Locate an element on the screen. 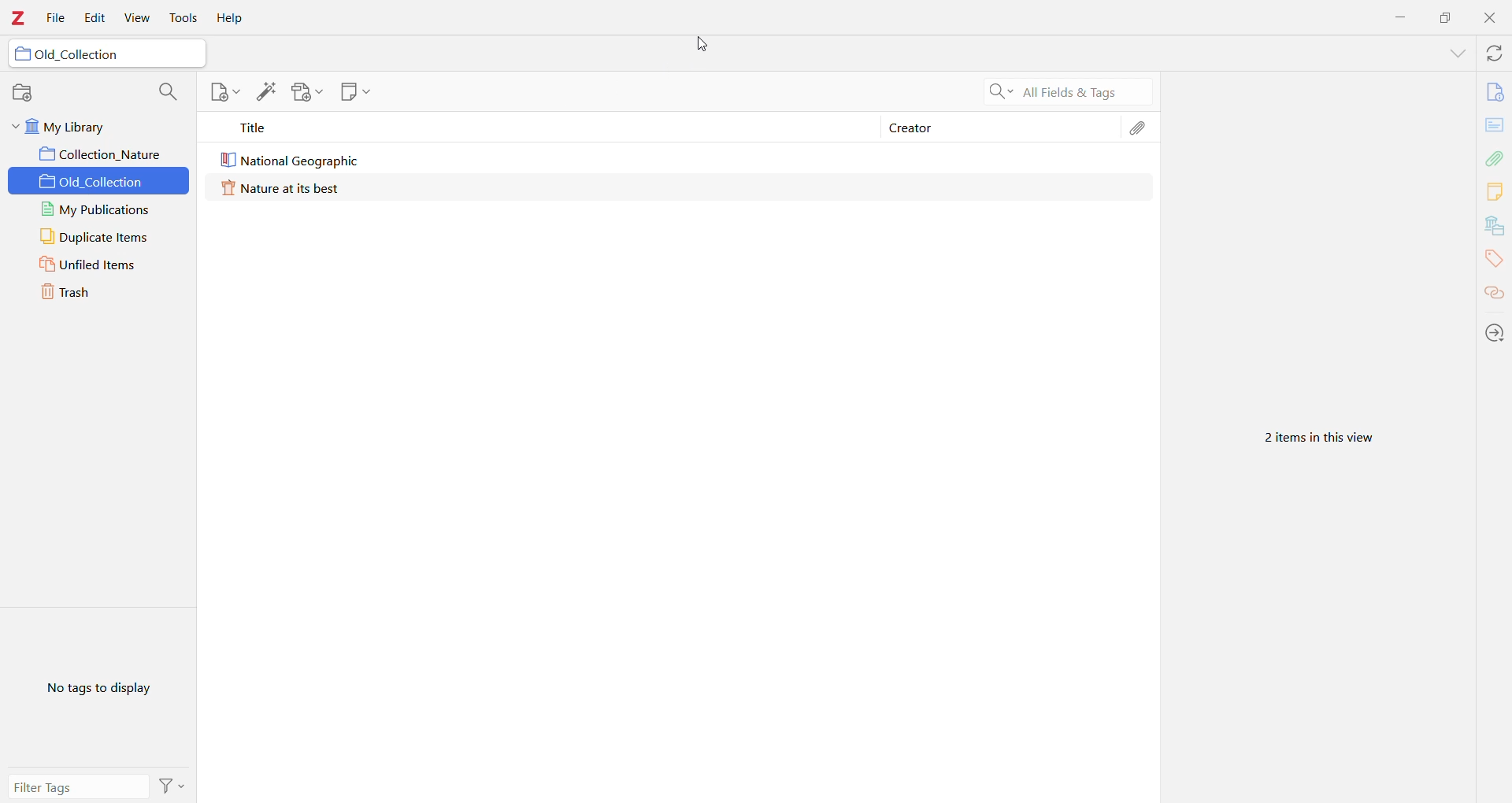 The width and height of the screenshot is (1512, 803). View is located at coordinates (137, 19).